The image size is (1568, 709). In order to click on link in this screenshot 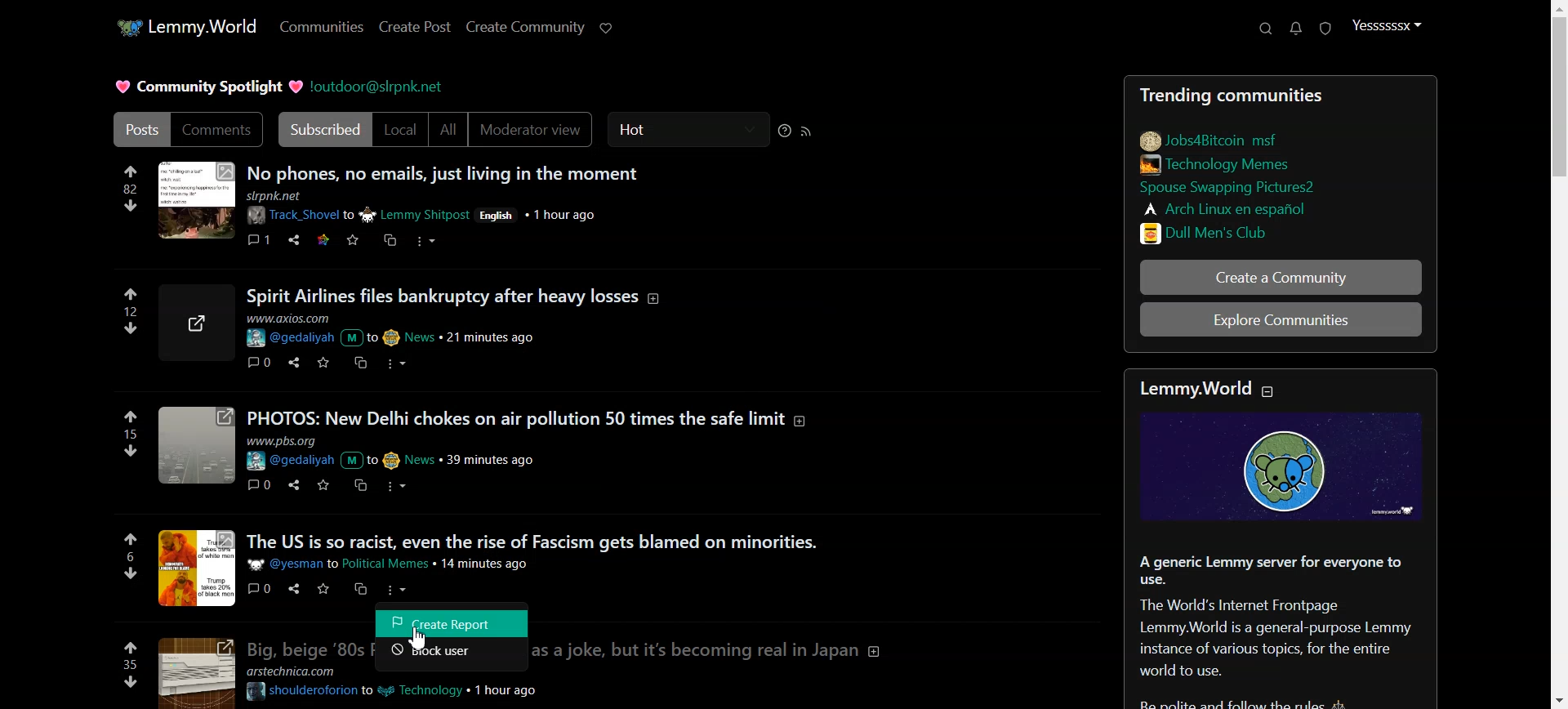, I will do `click(1247, 189)`.